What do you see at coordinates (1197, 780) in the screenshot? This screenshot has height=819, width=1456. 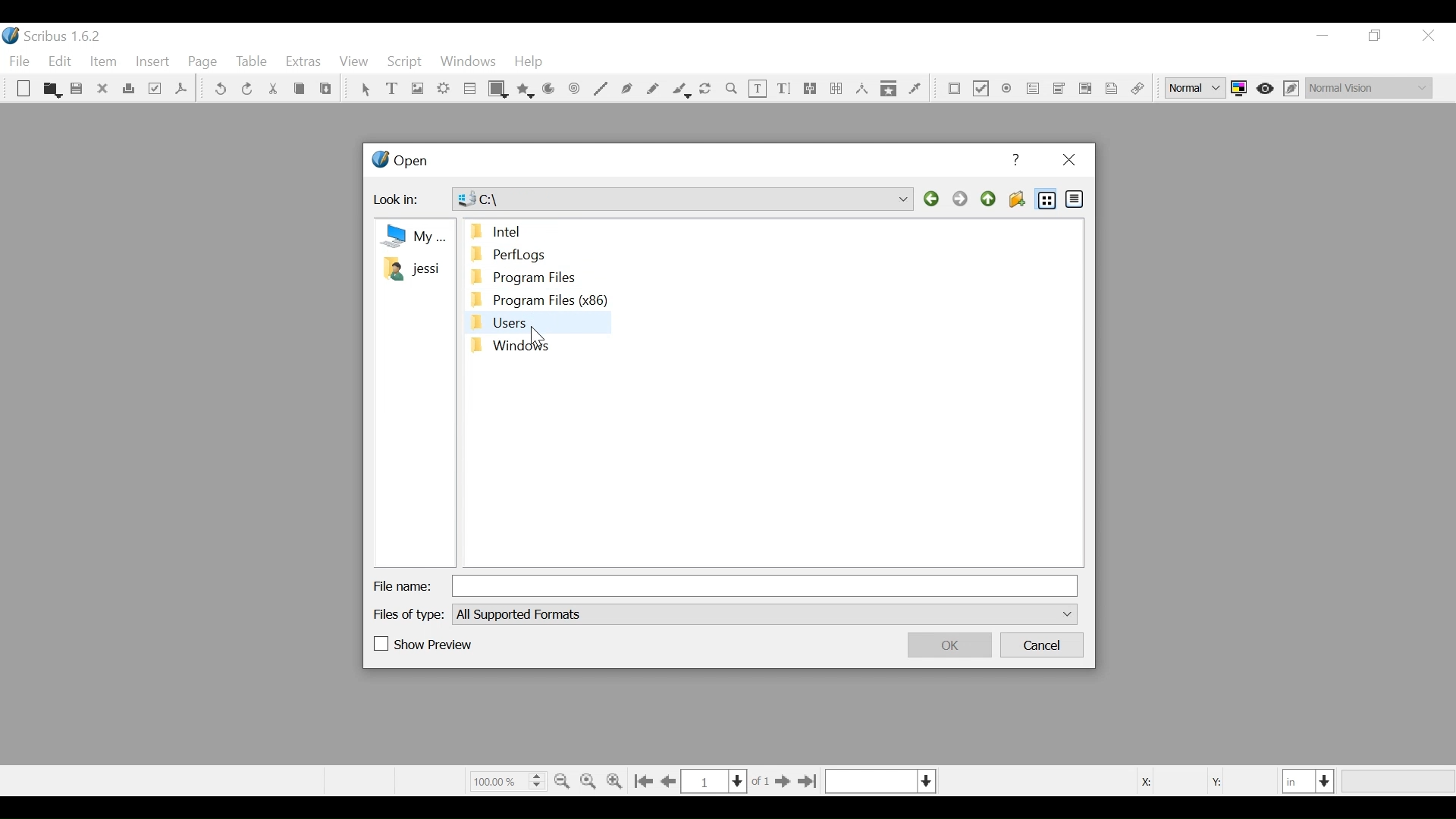 I see `Coordinates` at bounding box center [1197, 780].